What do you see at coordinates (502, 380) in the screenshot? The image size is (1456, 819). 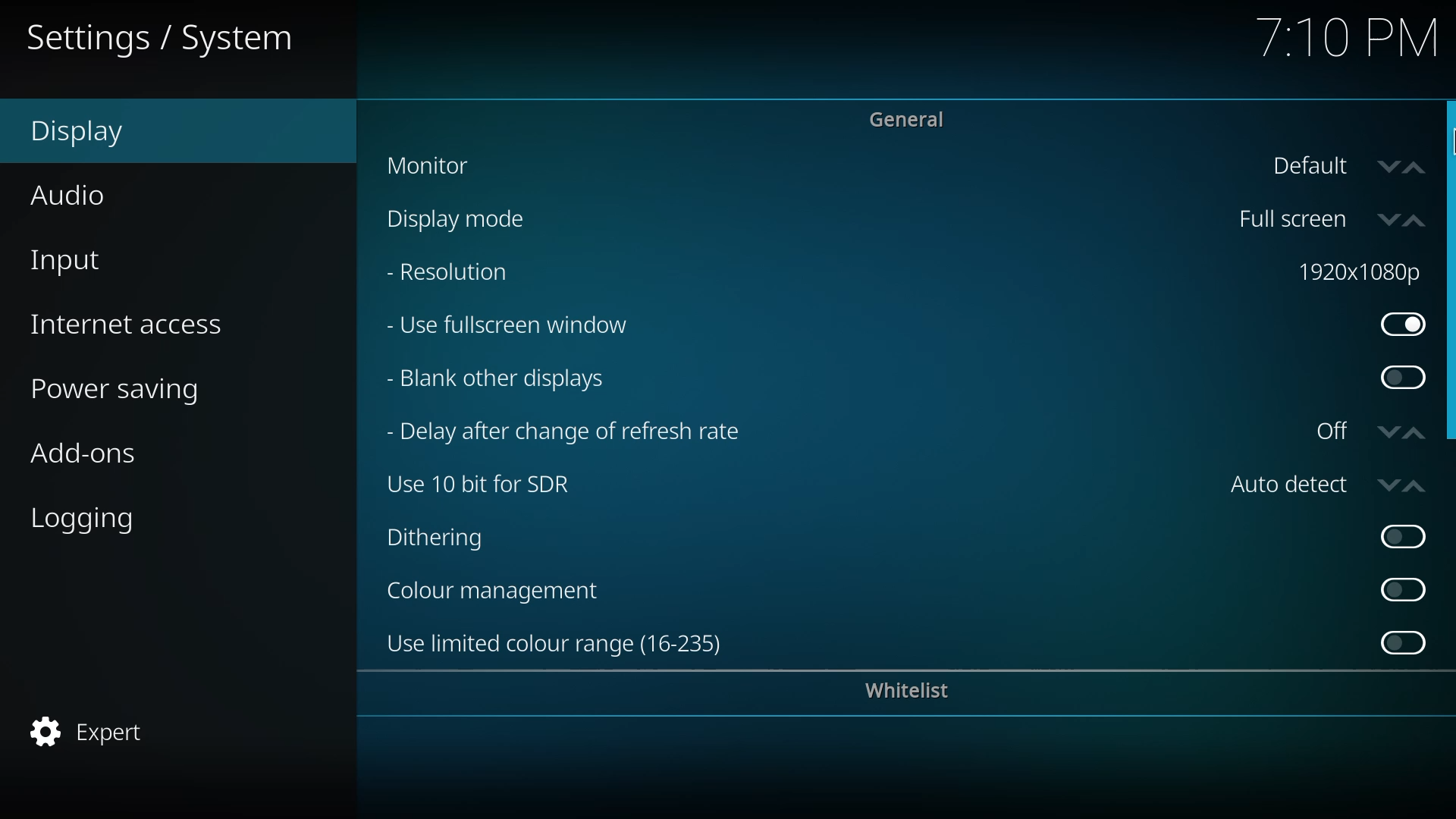 I see `blank other displays` at bounding box center [502, 380].